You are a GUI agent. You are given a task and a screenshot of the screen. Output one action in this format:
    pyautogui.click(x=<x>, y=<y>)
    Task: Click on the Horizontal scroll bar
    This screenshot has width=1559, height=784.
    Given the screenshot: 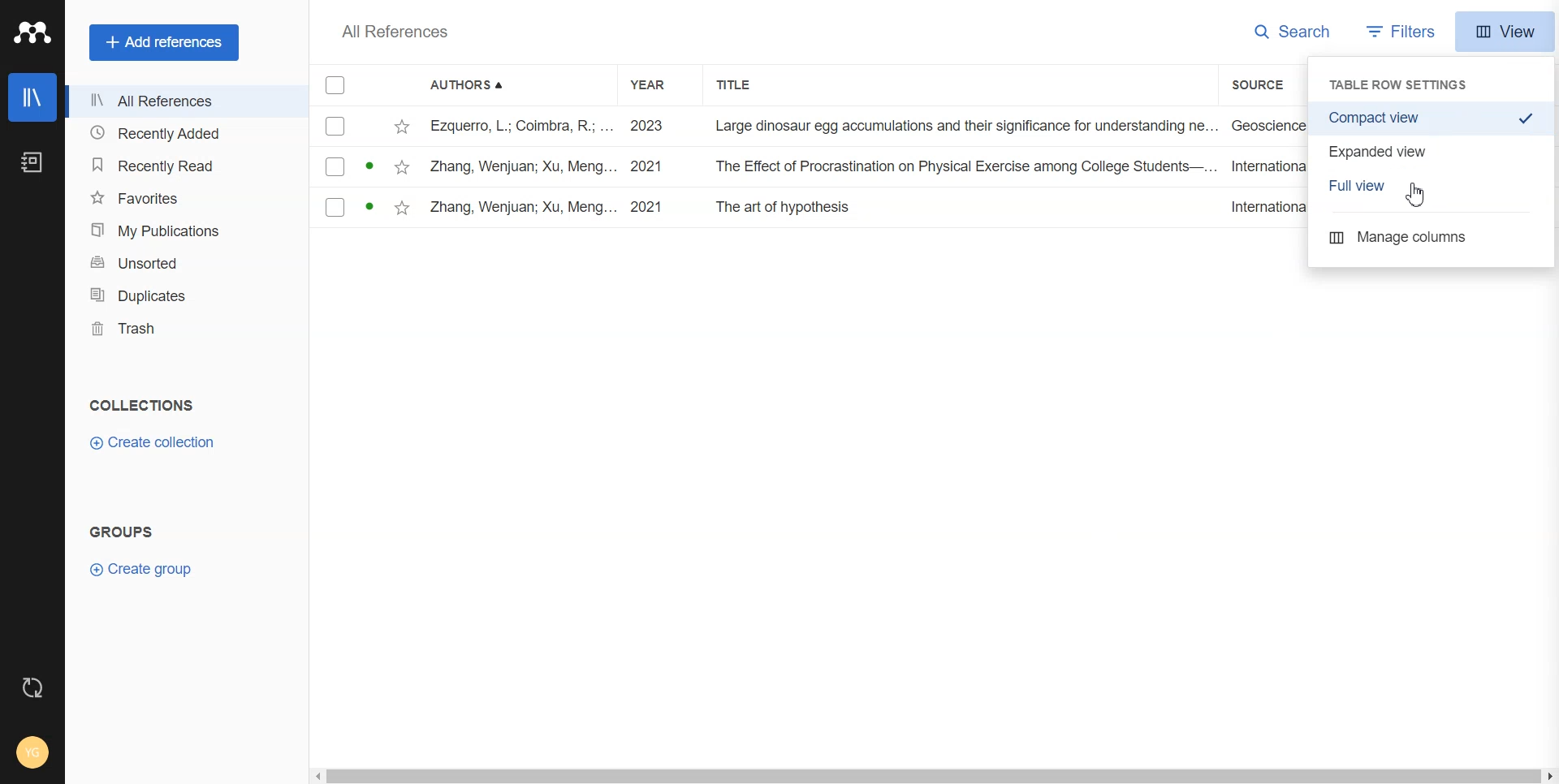 What is the action you would take?
    pyautogui.click(x=931, y=771)
    